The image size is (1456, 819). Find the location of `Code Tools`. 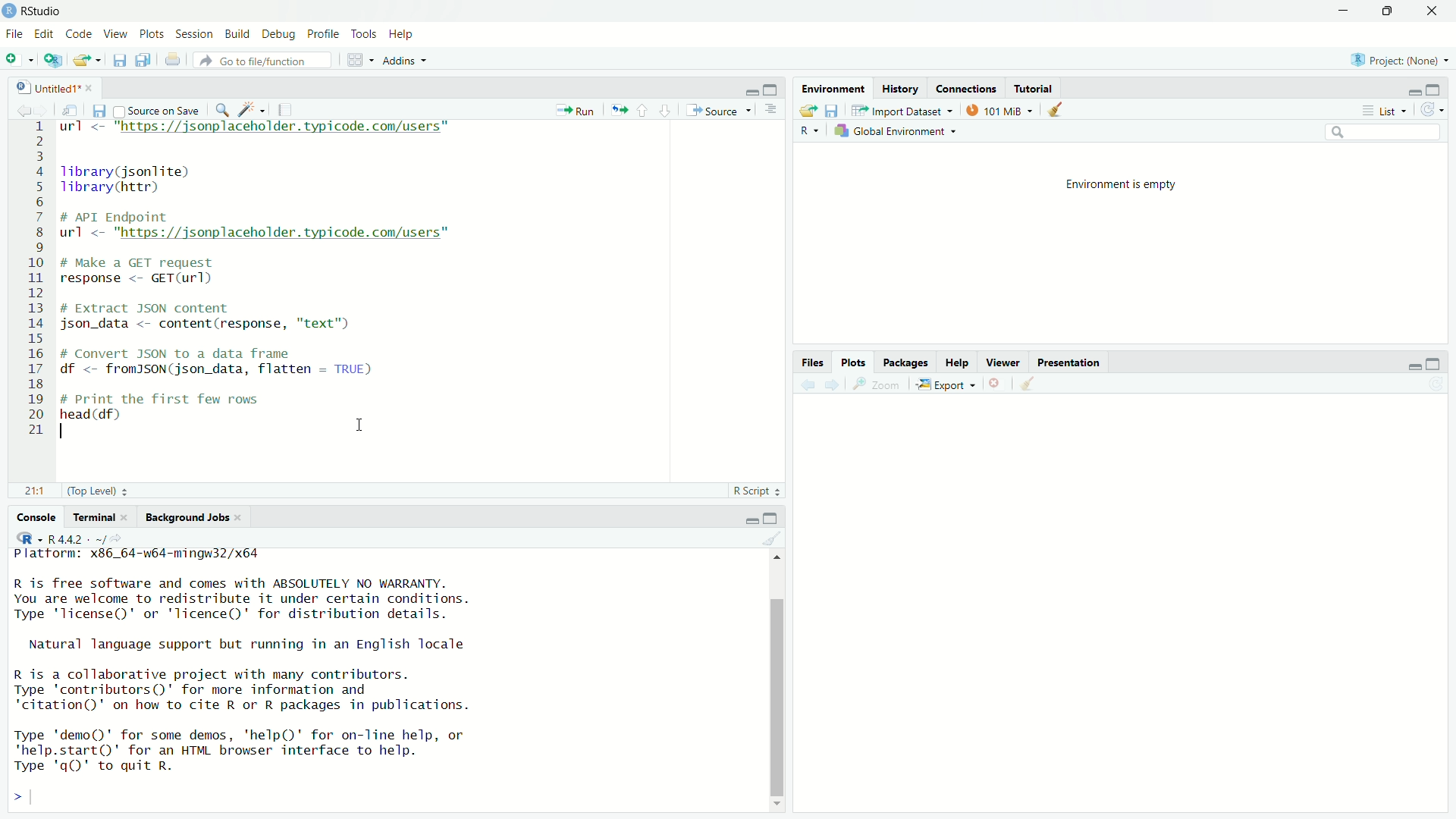

Code Tools is located at coordinates (252, 110).